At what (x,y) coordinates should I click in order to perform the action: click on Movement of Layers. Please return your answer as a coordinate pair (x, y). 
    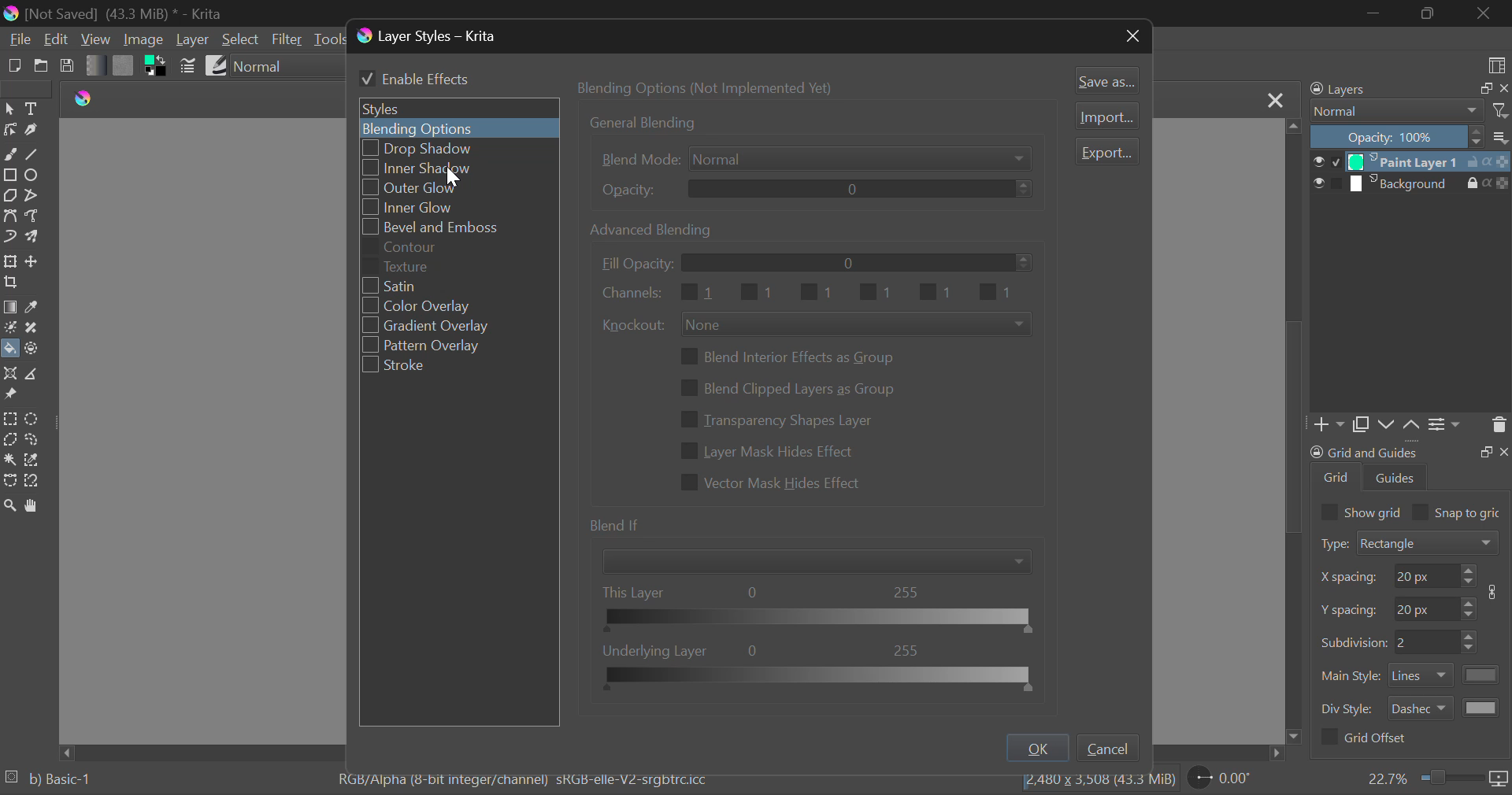
    Looking at the image, I should click on (1402, 426).